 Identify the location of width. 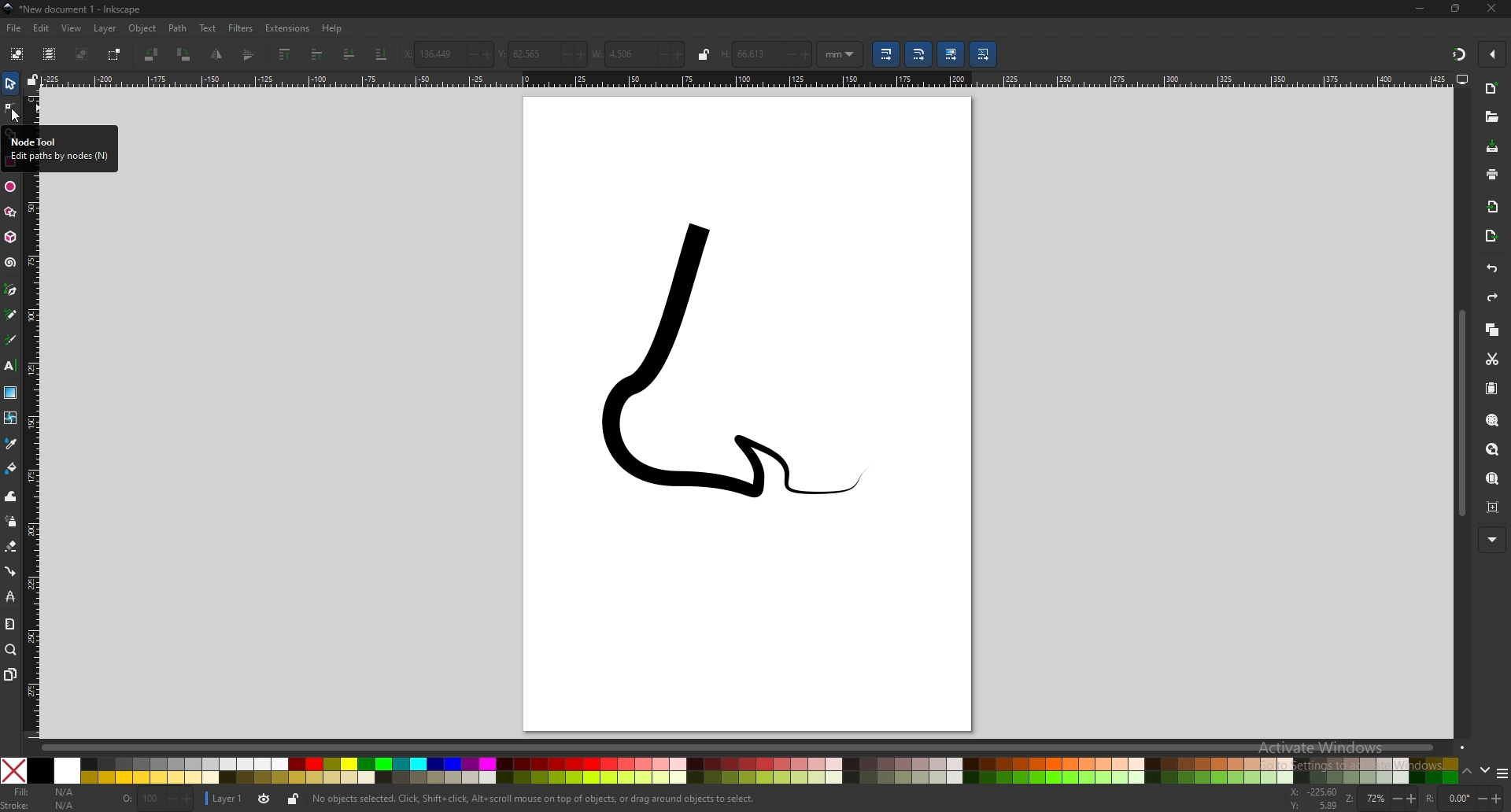
(636, 54).